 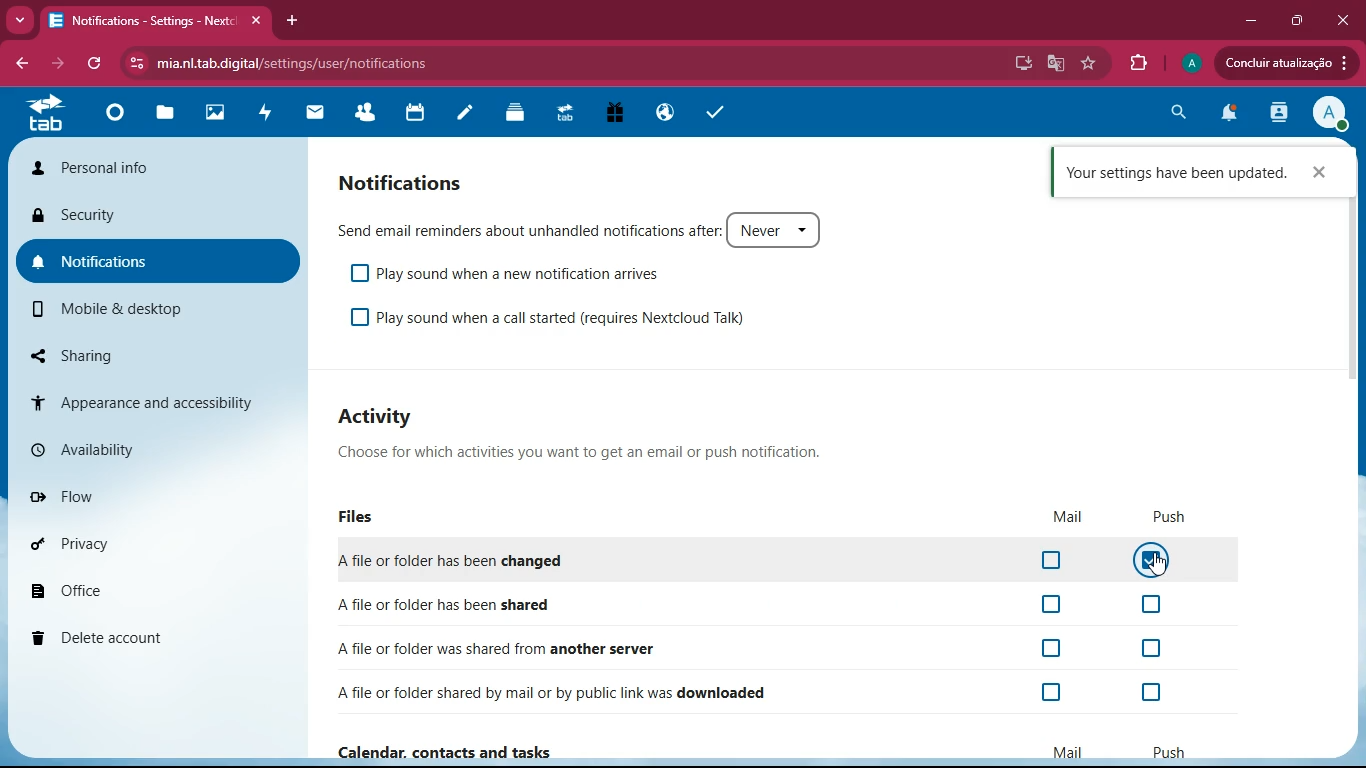 What do you see at coordinates (561, 316) in the screenshot?
I see `play sound` at bounding box center [561, 316].